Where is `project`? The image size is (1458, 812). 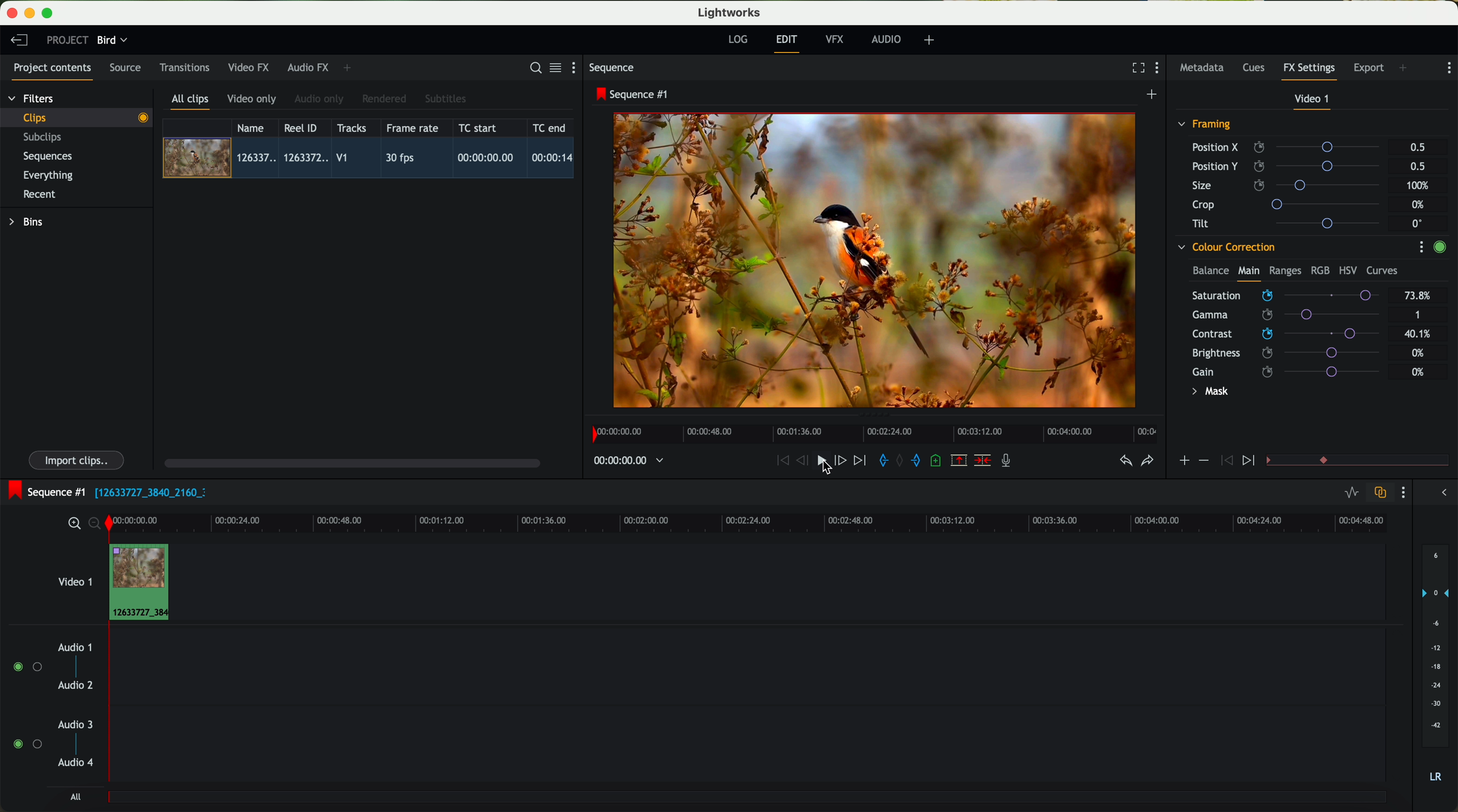 project is located at coordinates (67, 40).